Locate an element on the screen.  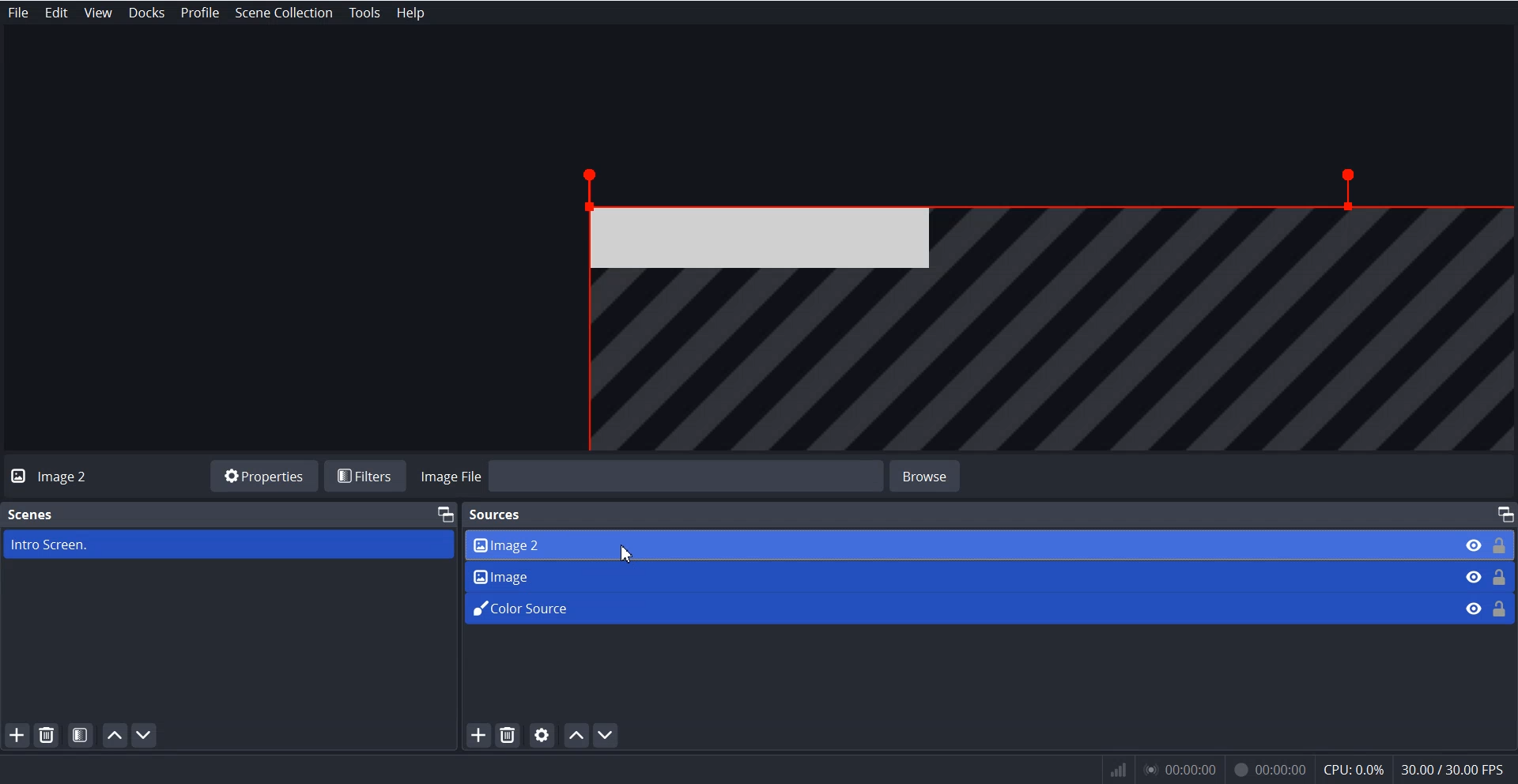
Scenes is located at coordinates (30, 514).